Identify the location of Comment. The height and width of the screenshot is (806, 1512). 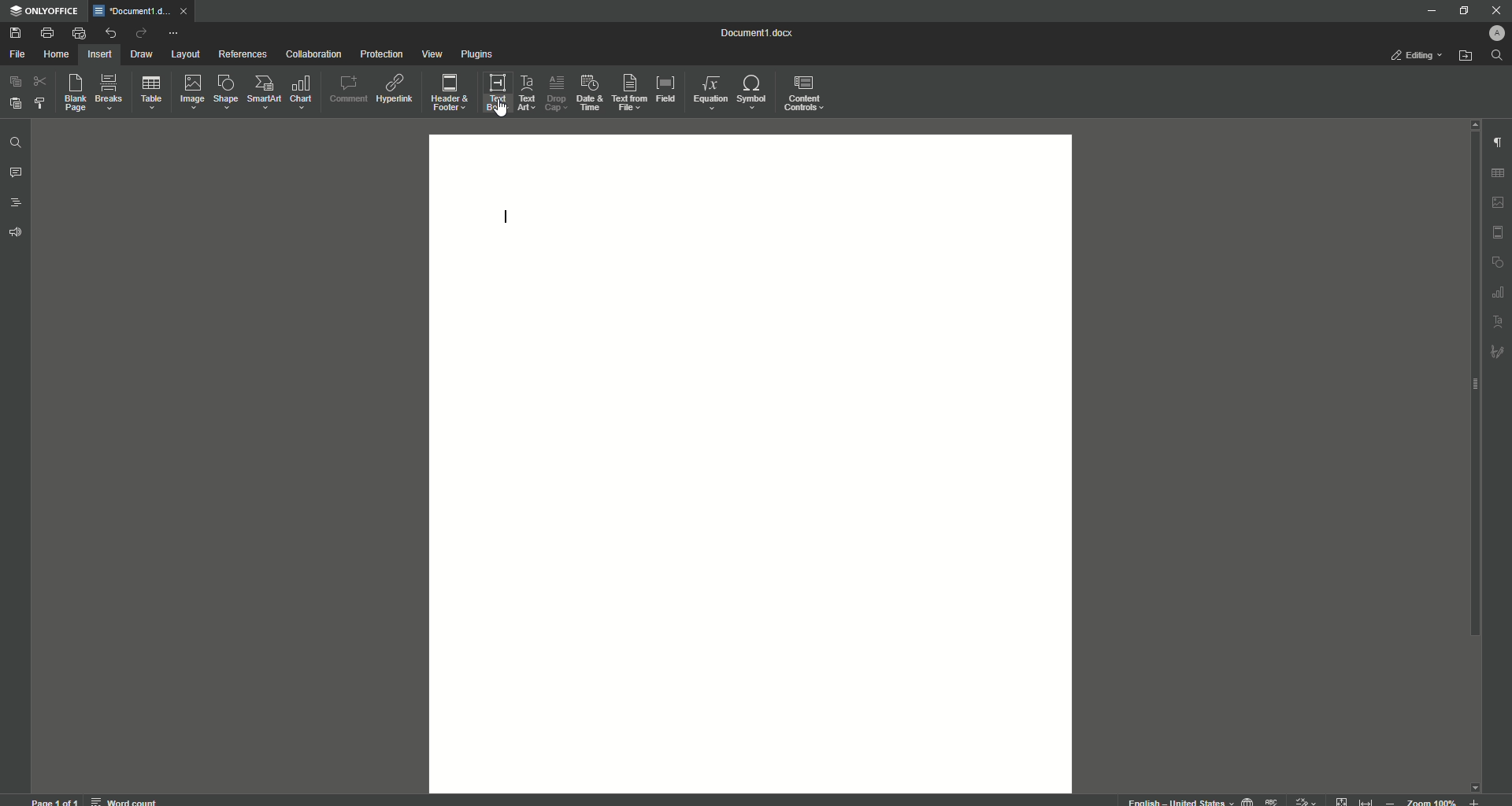
(348, 89).